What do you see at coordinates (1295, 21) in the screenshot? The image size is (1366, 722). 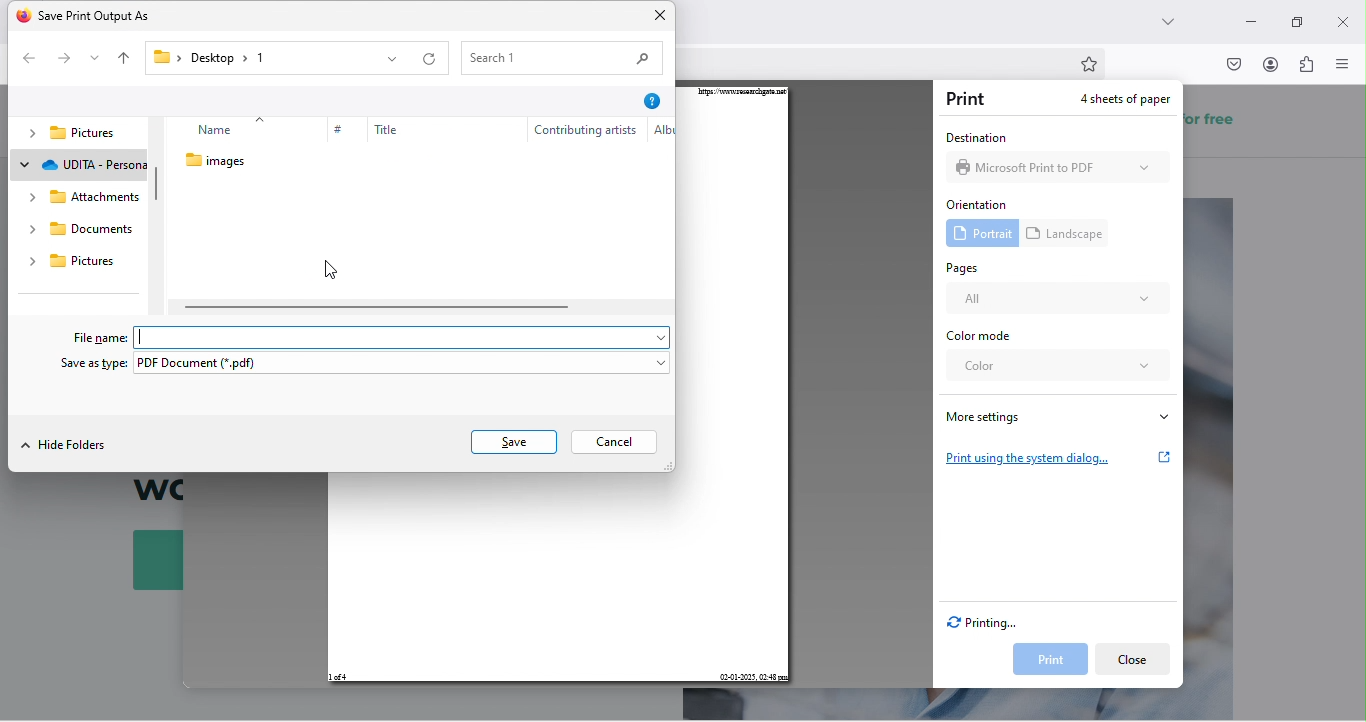 I see `maximize` at bounding box center [1295, 21].